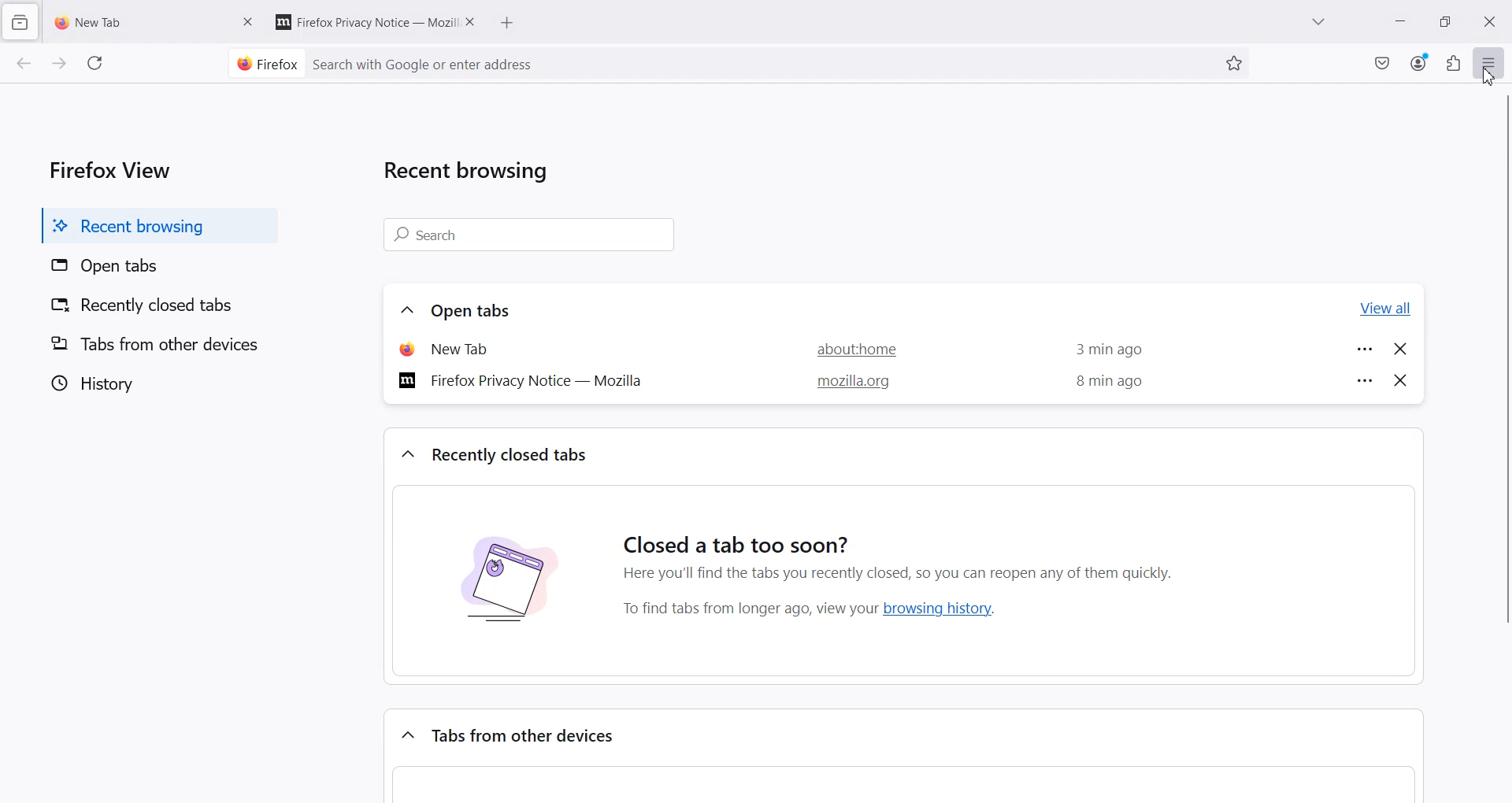  Describe the element at coordinates (465, 348) in the screenshot. I see `Open tab` at that location.